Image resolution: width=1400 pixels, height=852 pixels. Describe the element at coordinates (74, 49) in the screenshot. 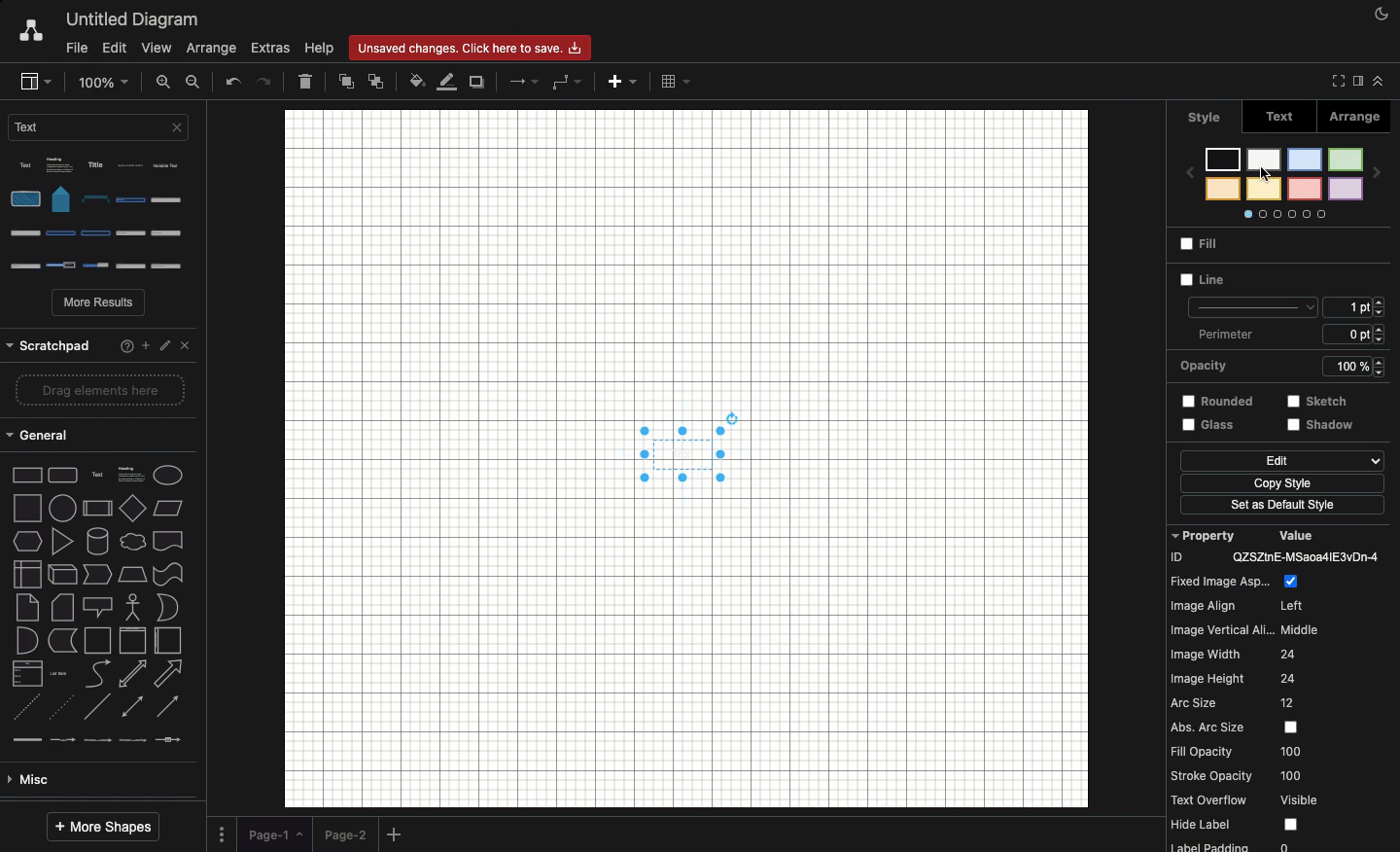

I see `File` at that location.